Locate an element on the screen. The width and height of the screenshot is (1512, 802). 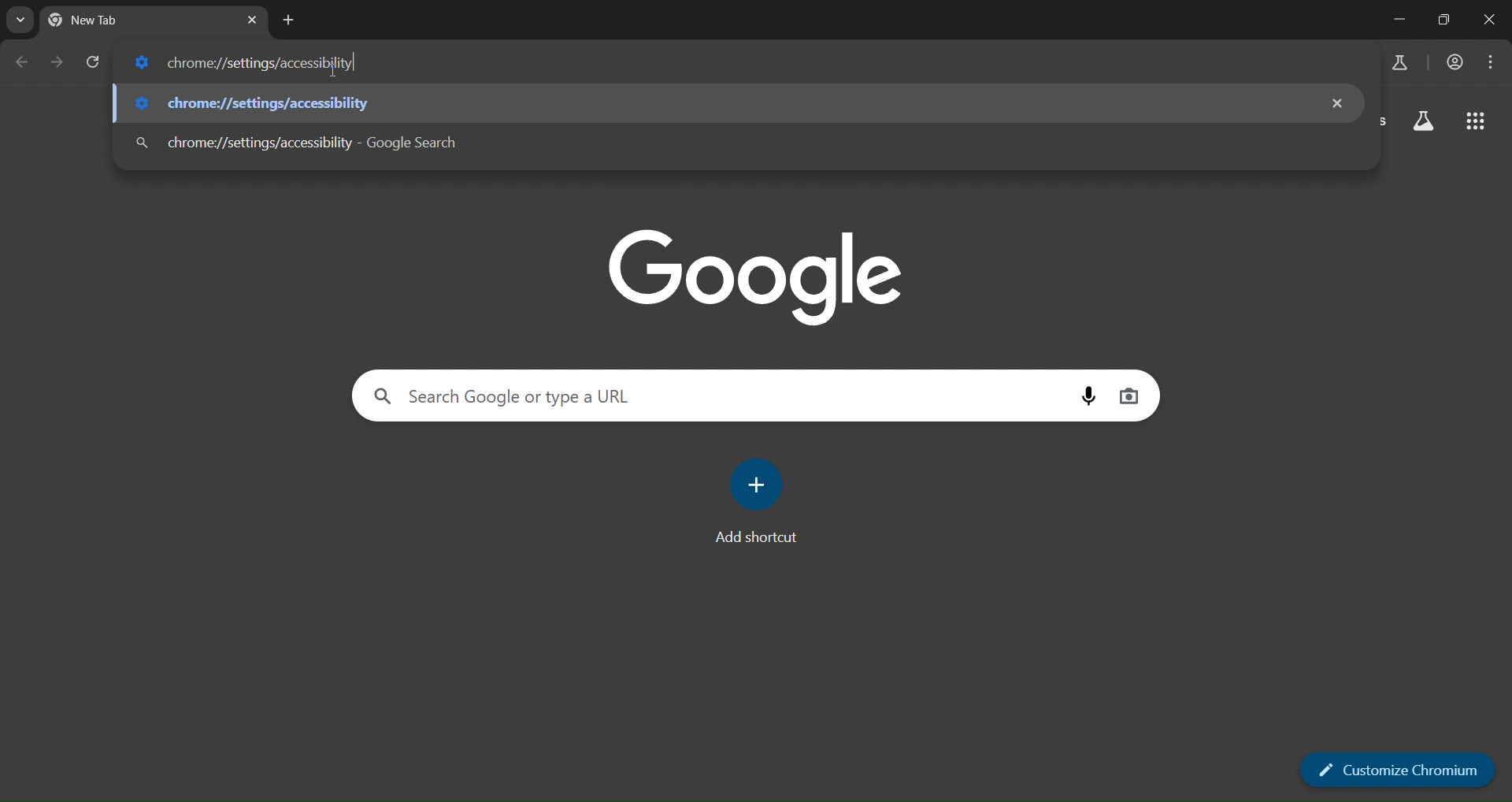
restore down is located at coordinates (1449, 18).